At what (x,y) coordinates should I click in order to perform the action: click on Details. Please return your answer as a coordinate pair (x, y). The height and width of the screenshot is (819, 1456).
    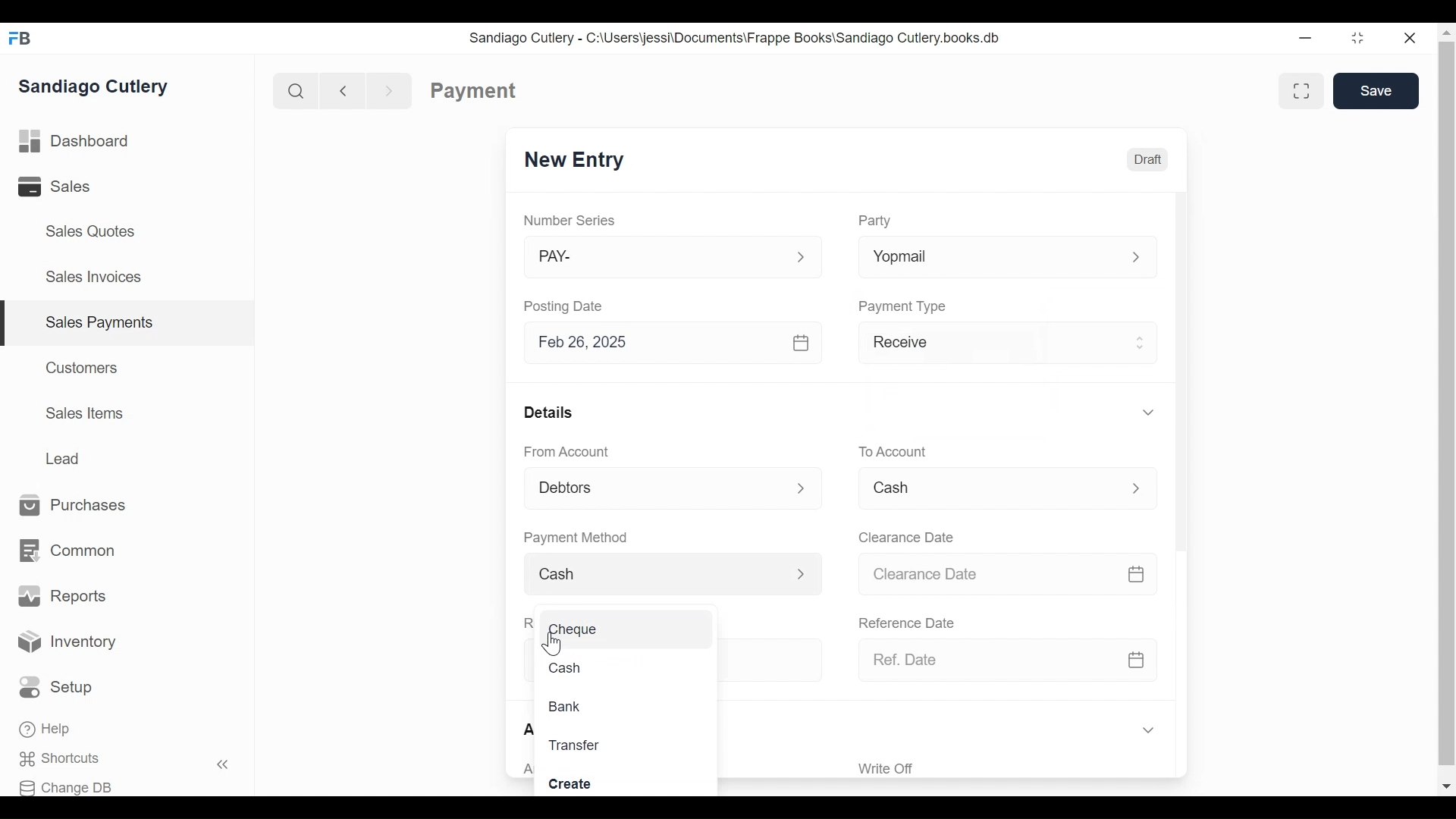
    Looking at the image, I should click on (548, 411).